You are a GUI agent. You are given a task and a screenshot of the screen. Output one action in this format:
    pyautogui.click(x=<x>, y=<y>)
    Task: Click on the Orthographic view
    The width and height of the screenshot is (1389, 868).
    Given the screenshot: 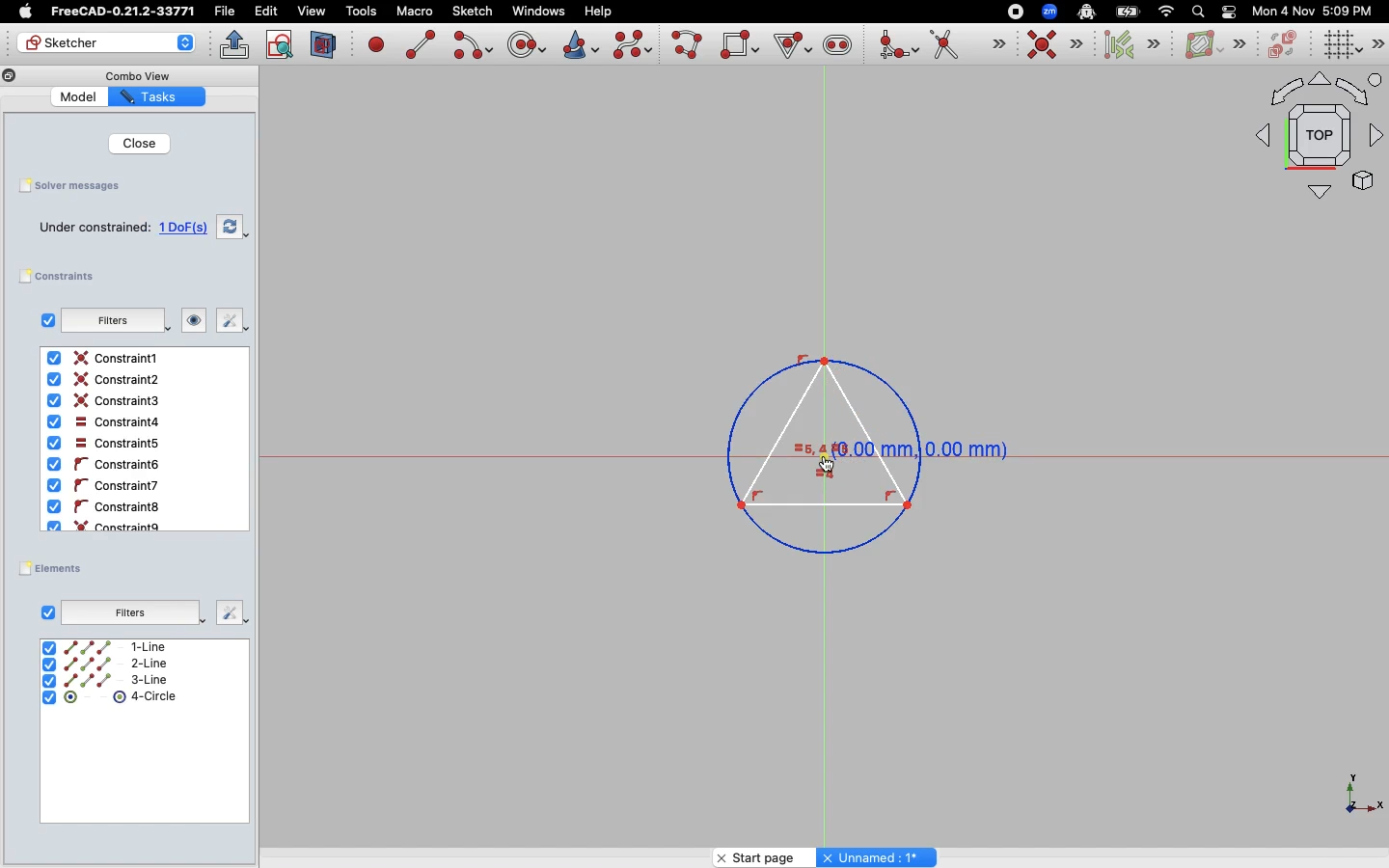 What is the action you would take?
    pyautogui.click(x=1320, y=138)
    